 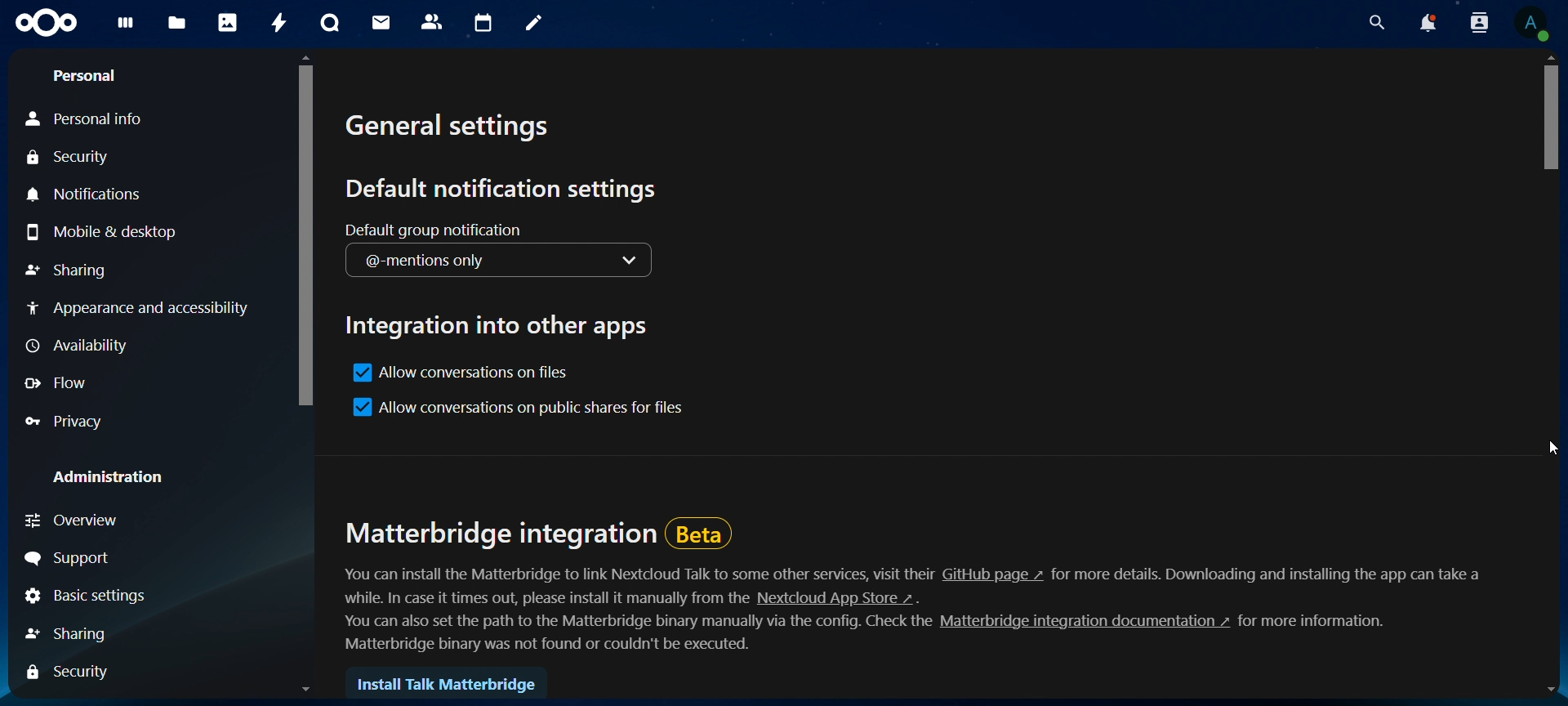 What do you see at coordinates (73, 634) in the screenshot?
I see `sharing` at bounding box center [73, 634].